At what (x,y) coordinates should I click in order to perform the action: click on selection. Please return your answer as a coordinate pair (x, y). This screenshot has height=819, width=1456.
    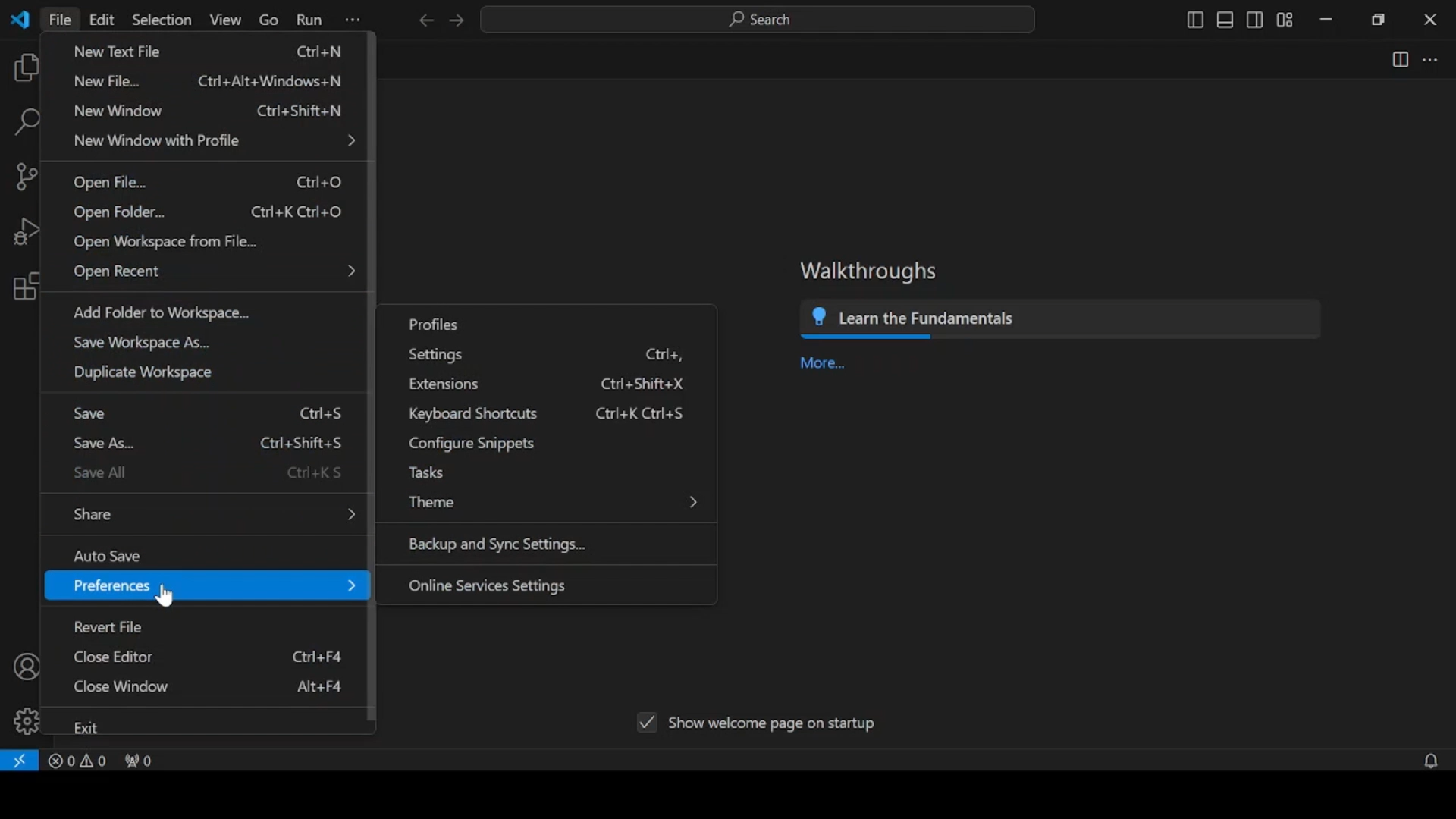
    Looking at the image, I should click on (163, 20).